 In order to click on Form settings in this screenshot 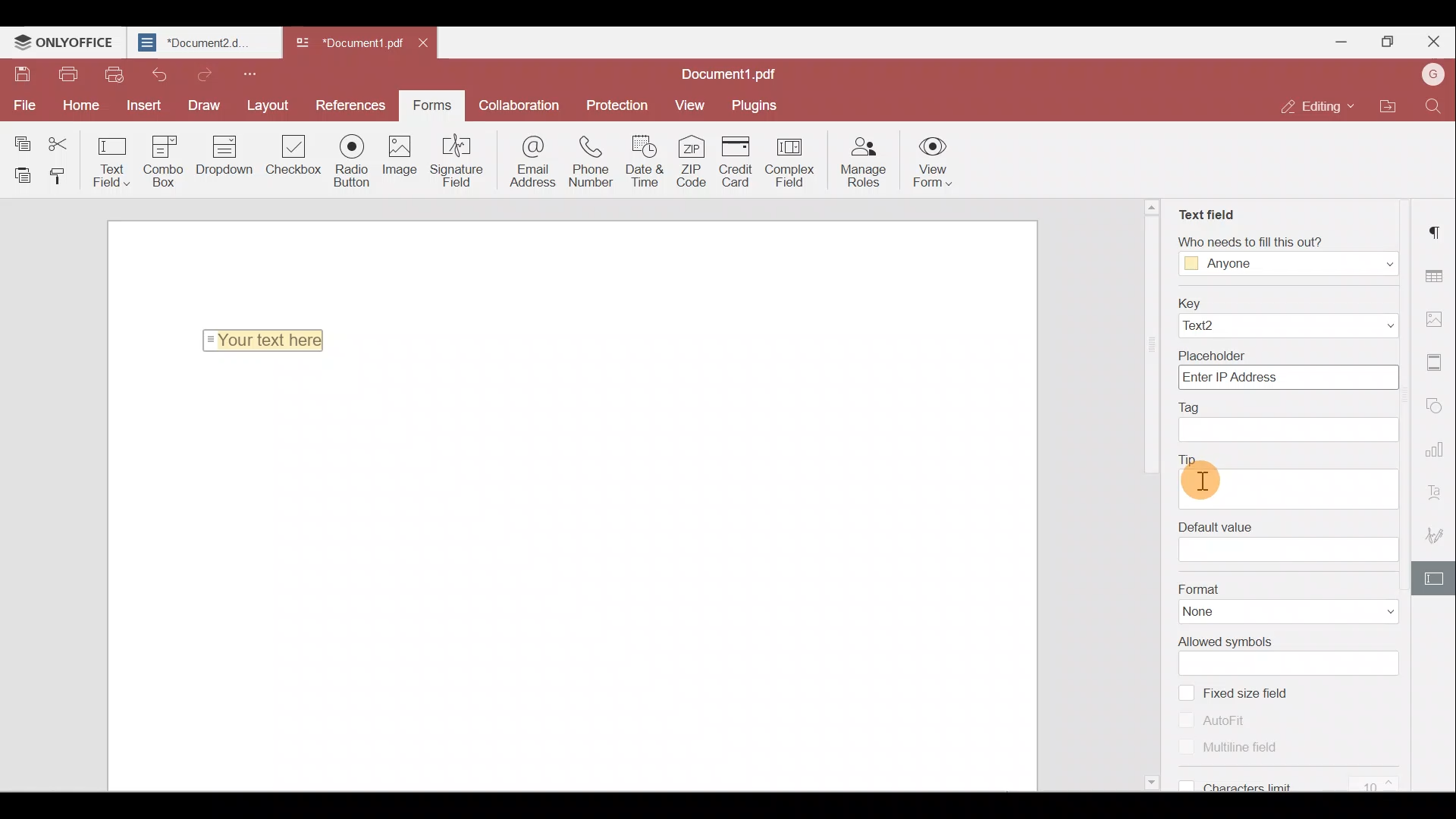, I will do `click(1437, 577)`.